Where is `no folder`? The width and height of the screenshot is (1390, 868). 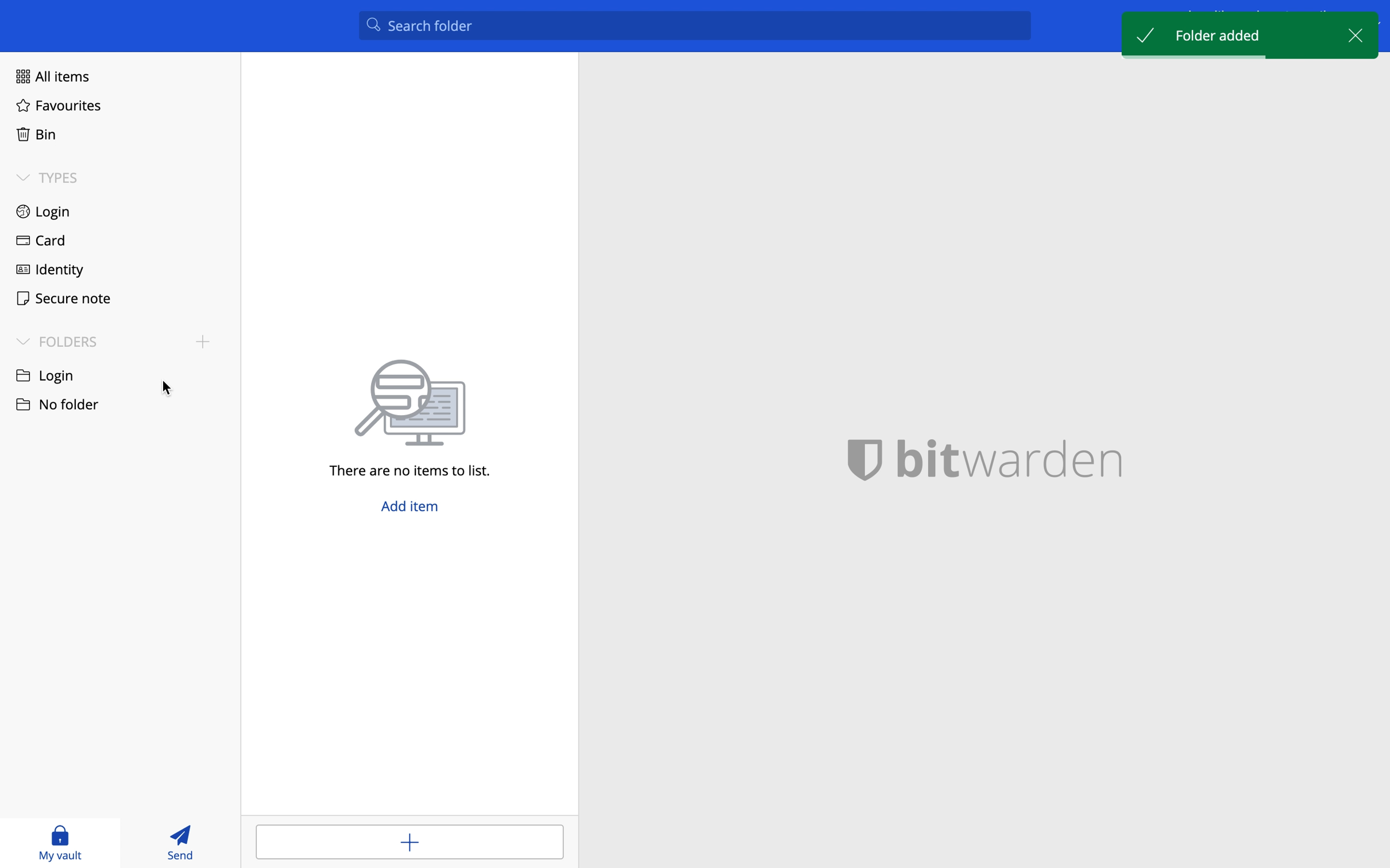 no folder is located at coordinates (56, 374).